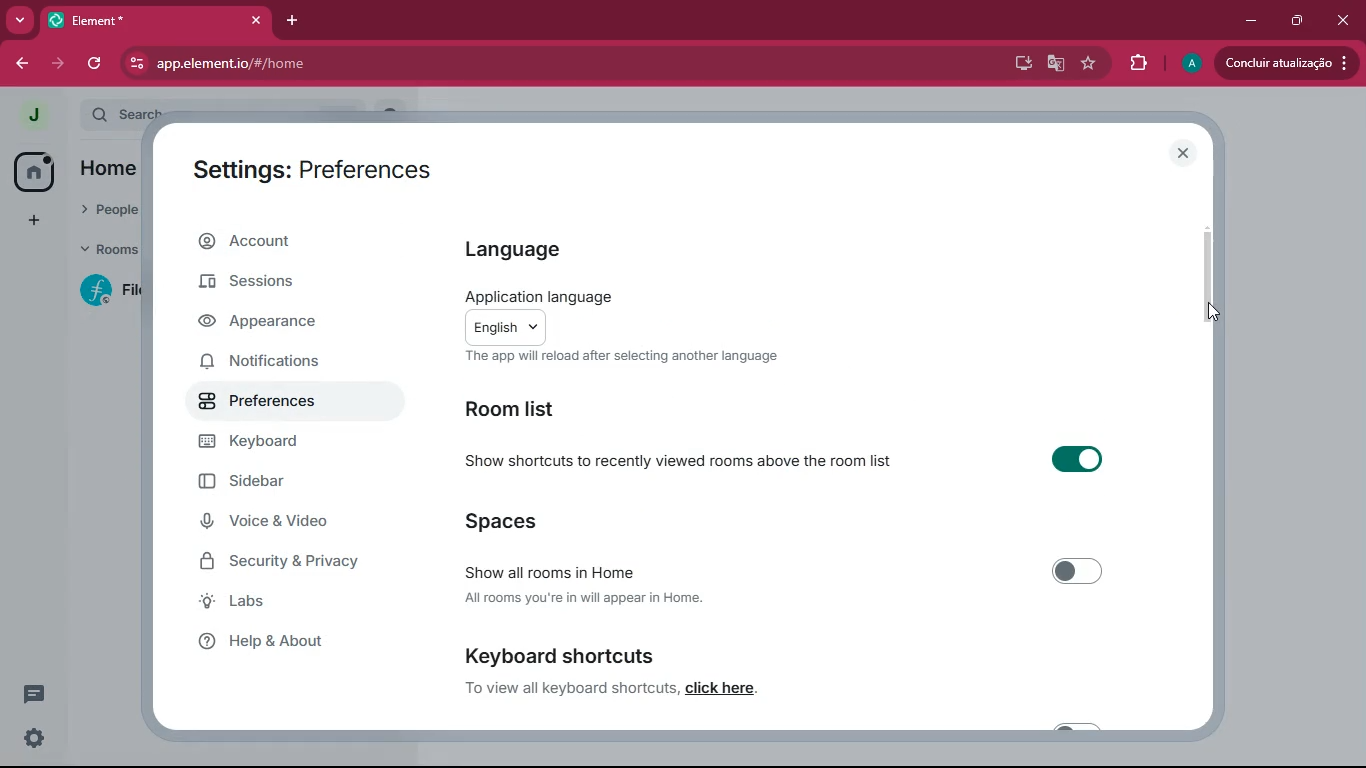  What do you see at coordinates (799, 464) in the screenshot?
I see `Show shortcuts to recently viewed rooms above the room list [ ©)` at bounding box center [799, 464].